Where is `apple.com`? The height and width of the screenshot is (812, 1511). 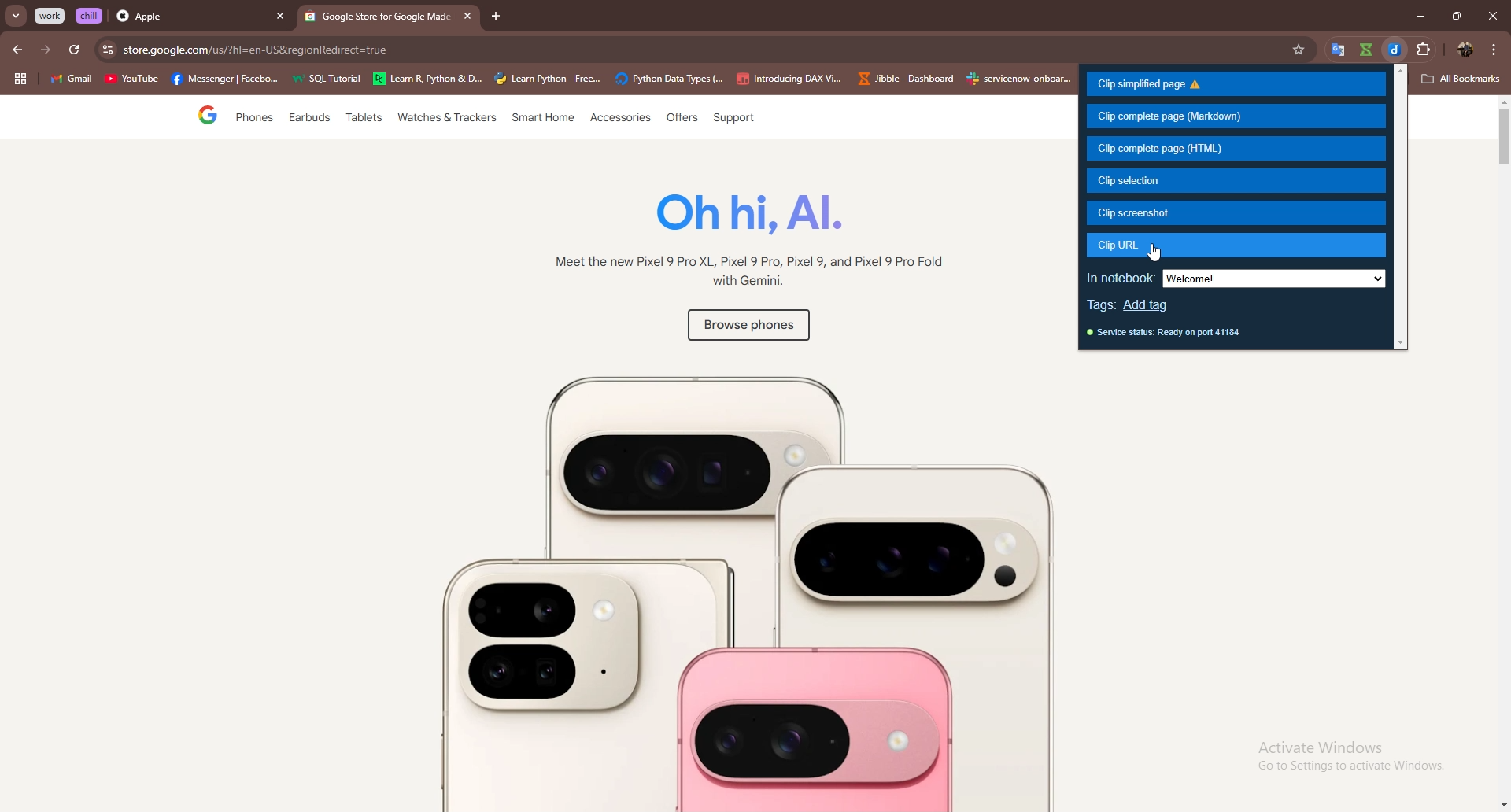 apple.com is located at coordinates (702, 50).